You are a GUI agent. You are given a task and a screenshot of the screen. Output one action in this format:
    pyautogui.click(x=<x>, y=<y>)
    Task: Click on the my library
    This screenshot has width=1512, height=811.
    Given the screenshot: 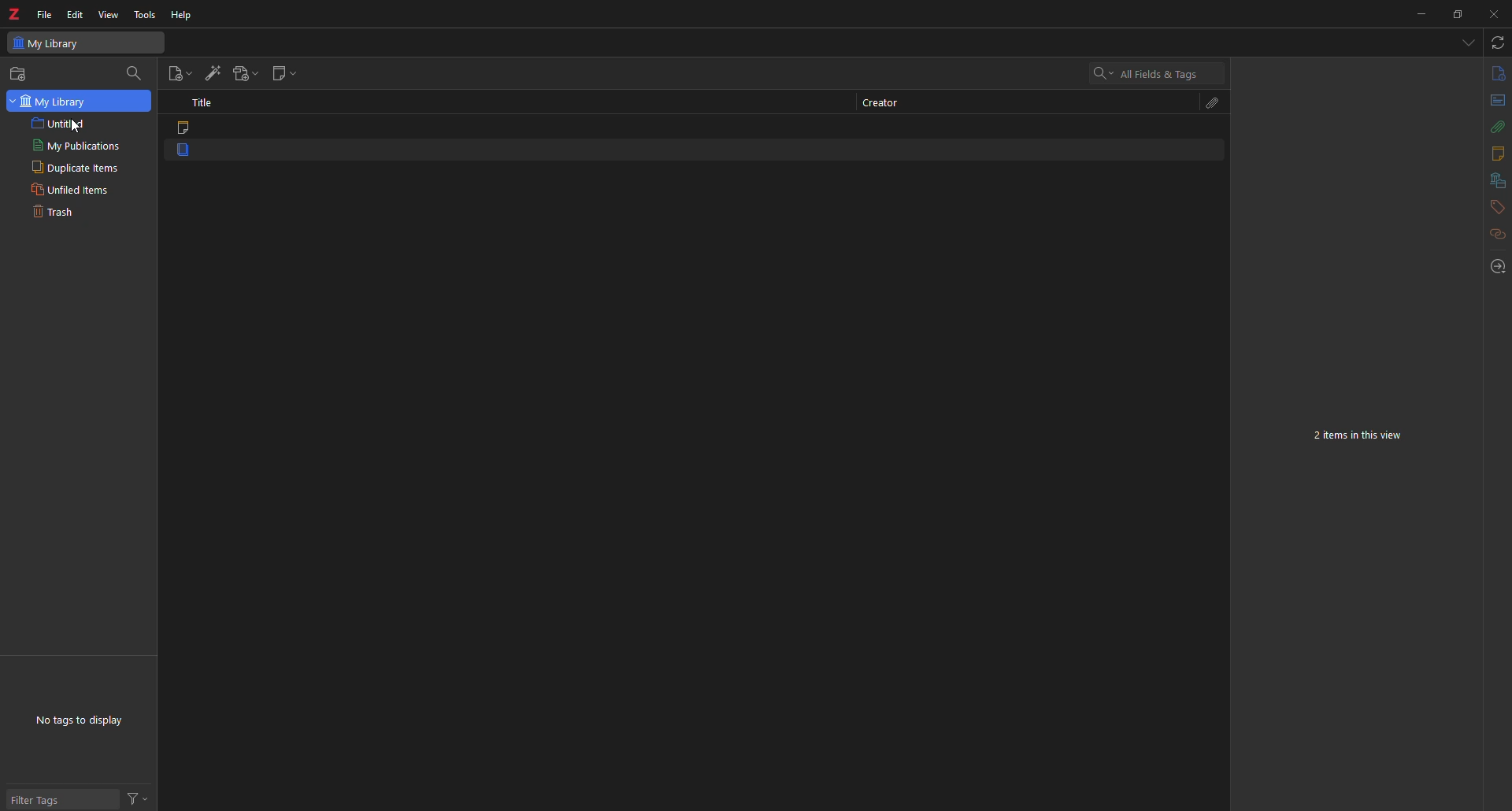 What is the action you would take?
    pyautogui.click(x=50, y=43)
    